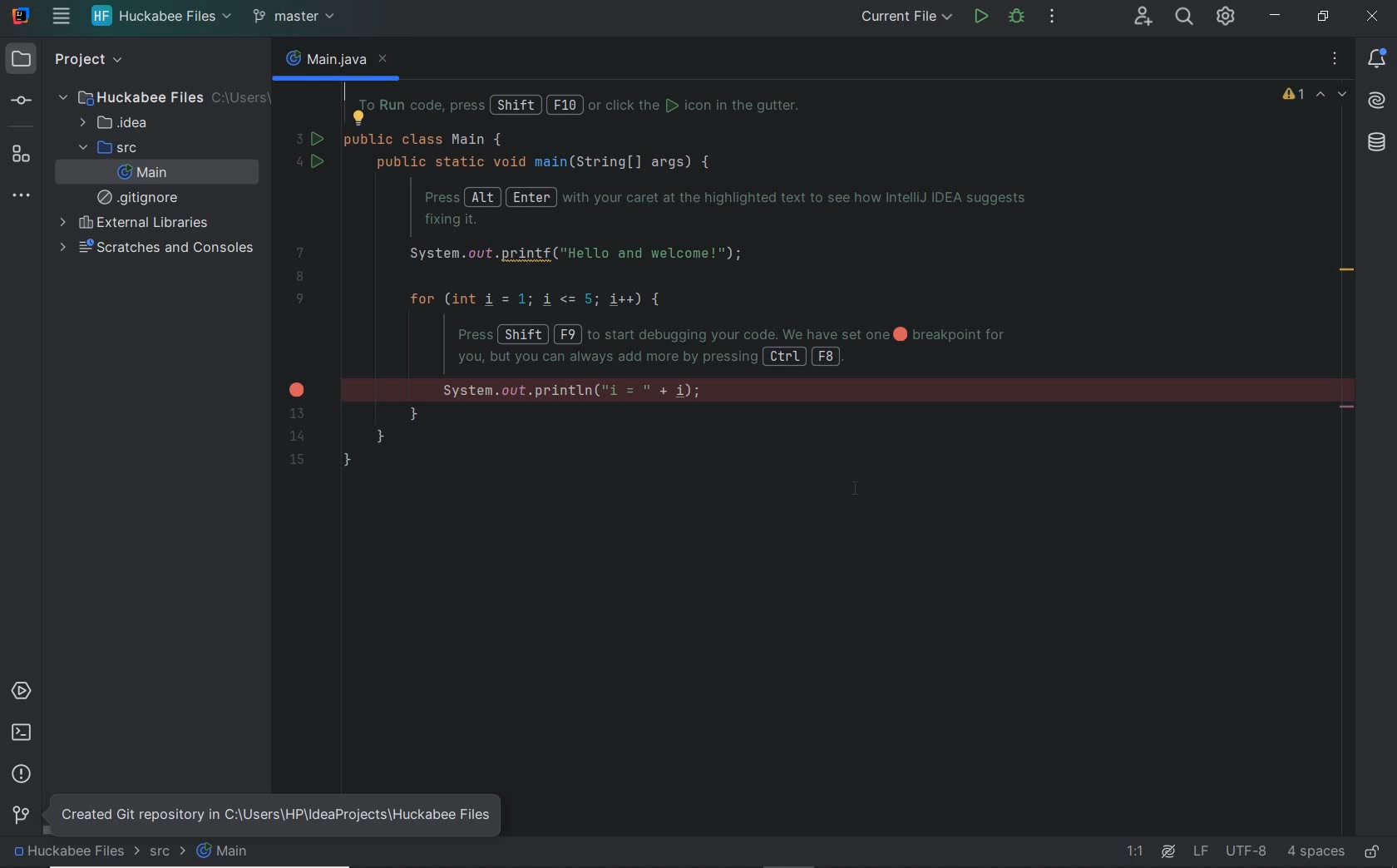  I want to click on more tool windows, so click(22, 195).